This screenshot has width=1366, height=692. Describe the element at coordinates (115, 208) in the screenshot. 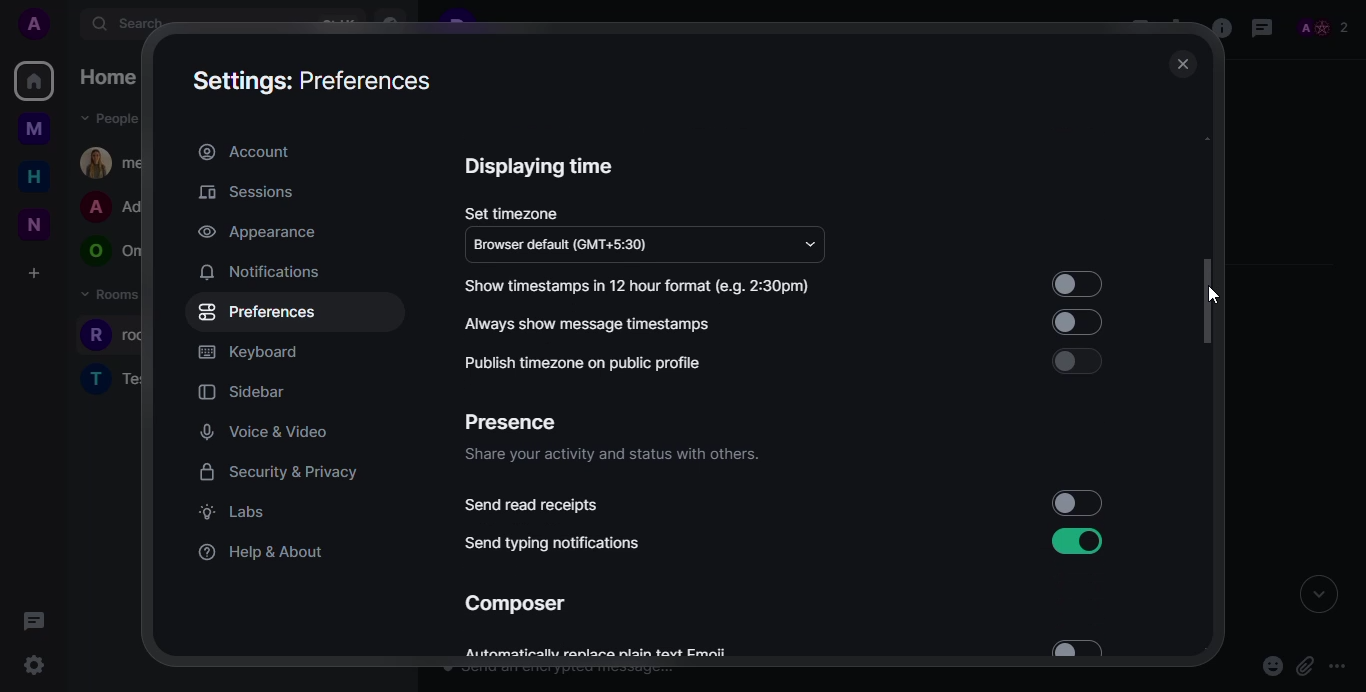

I see `people room` at that location.